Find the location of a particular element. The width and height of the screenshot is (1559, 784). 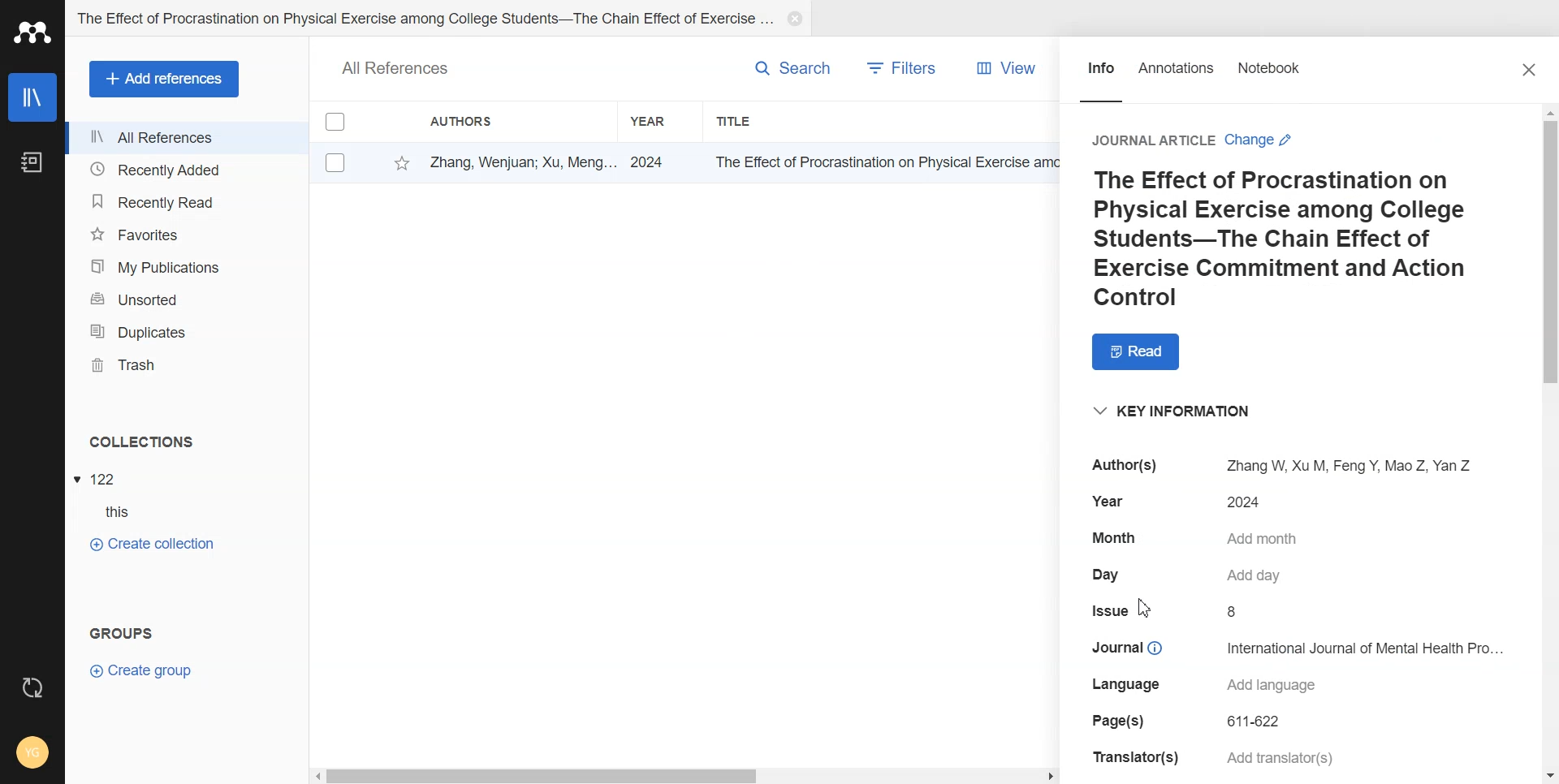

Subfolder is located at coordinates (110, 513).